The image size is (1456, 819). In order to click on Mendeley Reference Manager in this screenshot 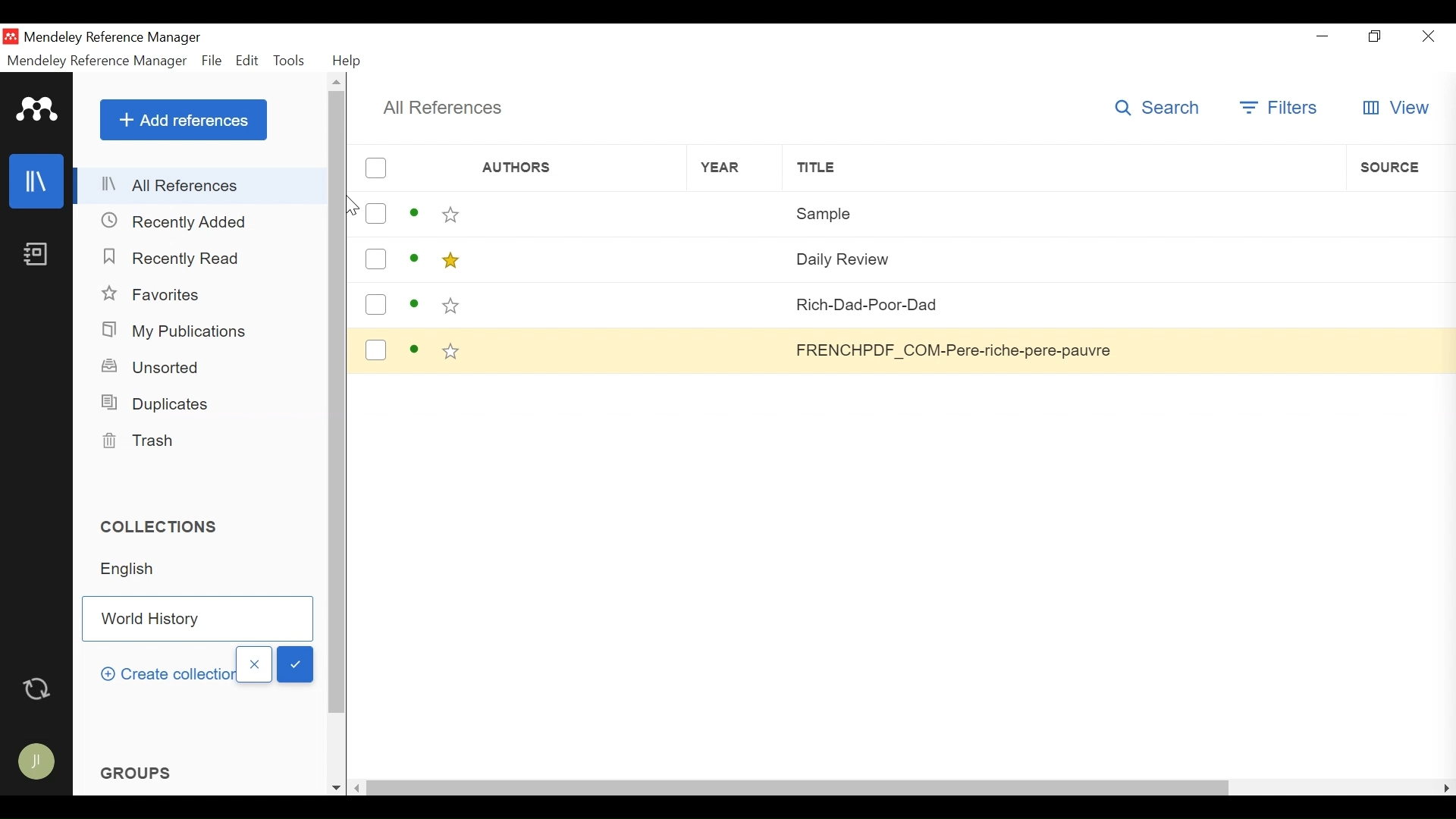, I will do `click(113, 39)`.